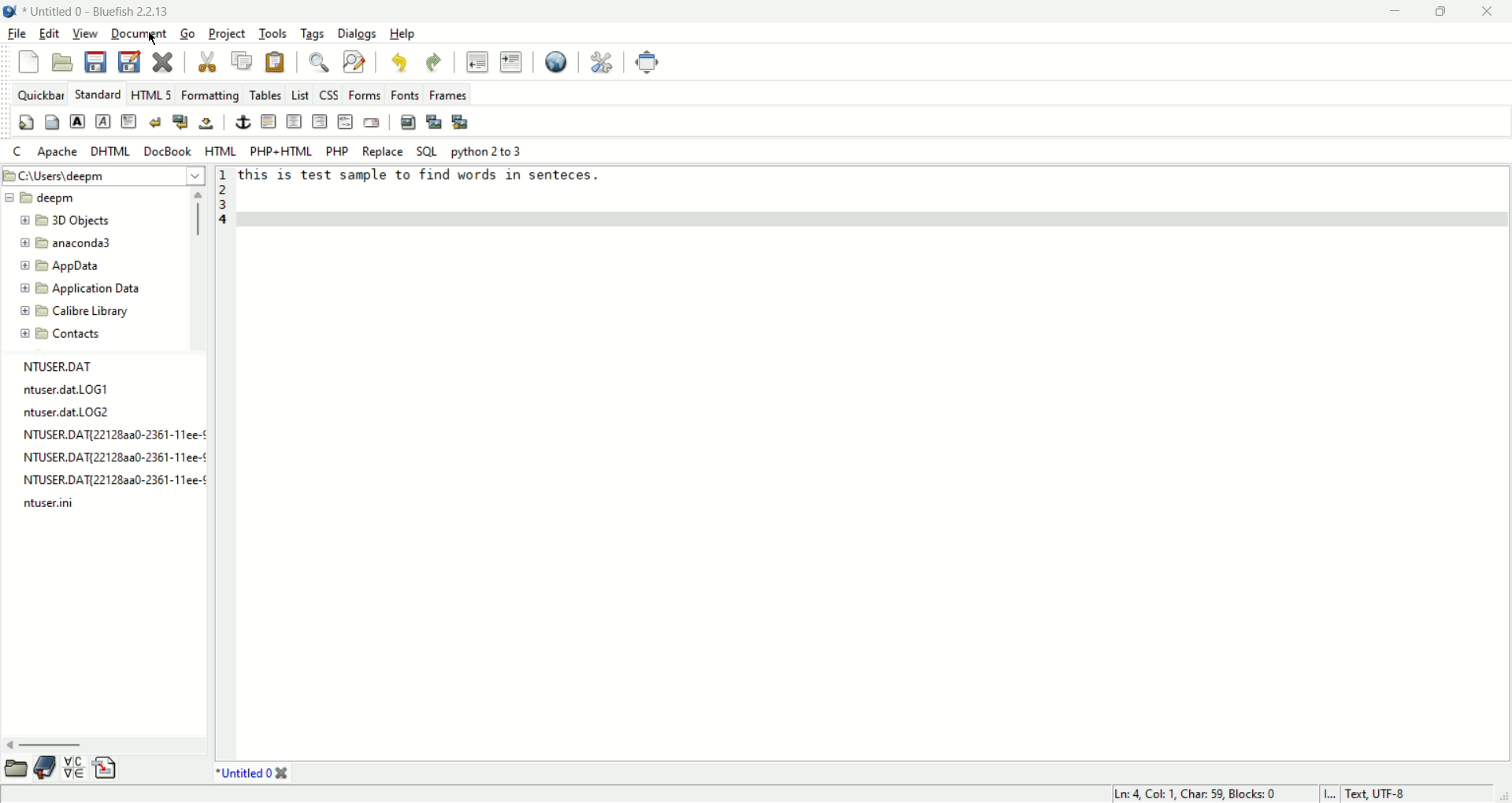  I want to click on project, so click(227, 31).